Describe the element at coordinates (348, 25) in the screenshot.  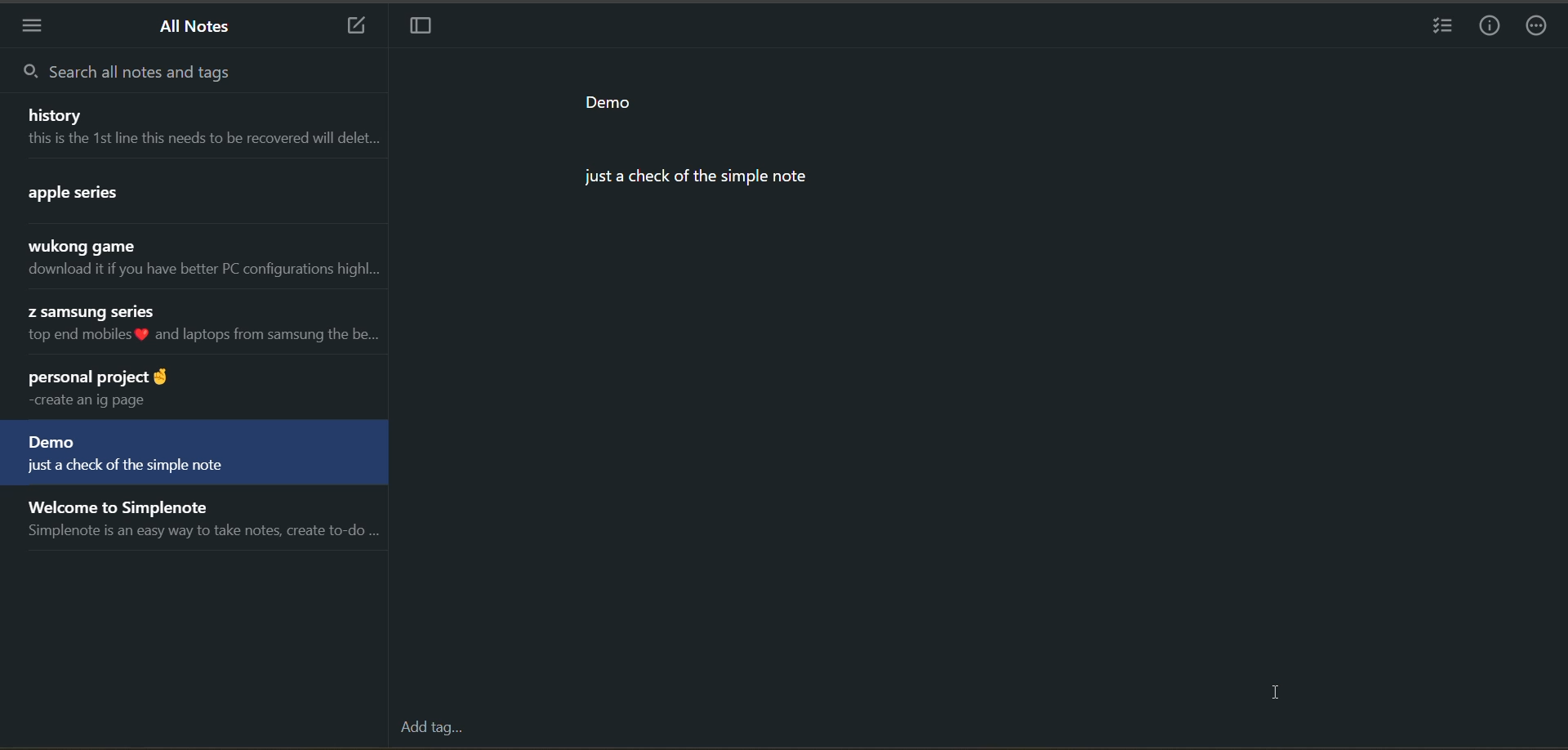
I see `new note` at that location.